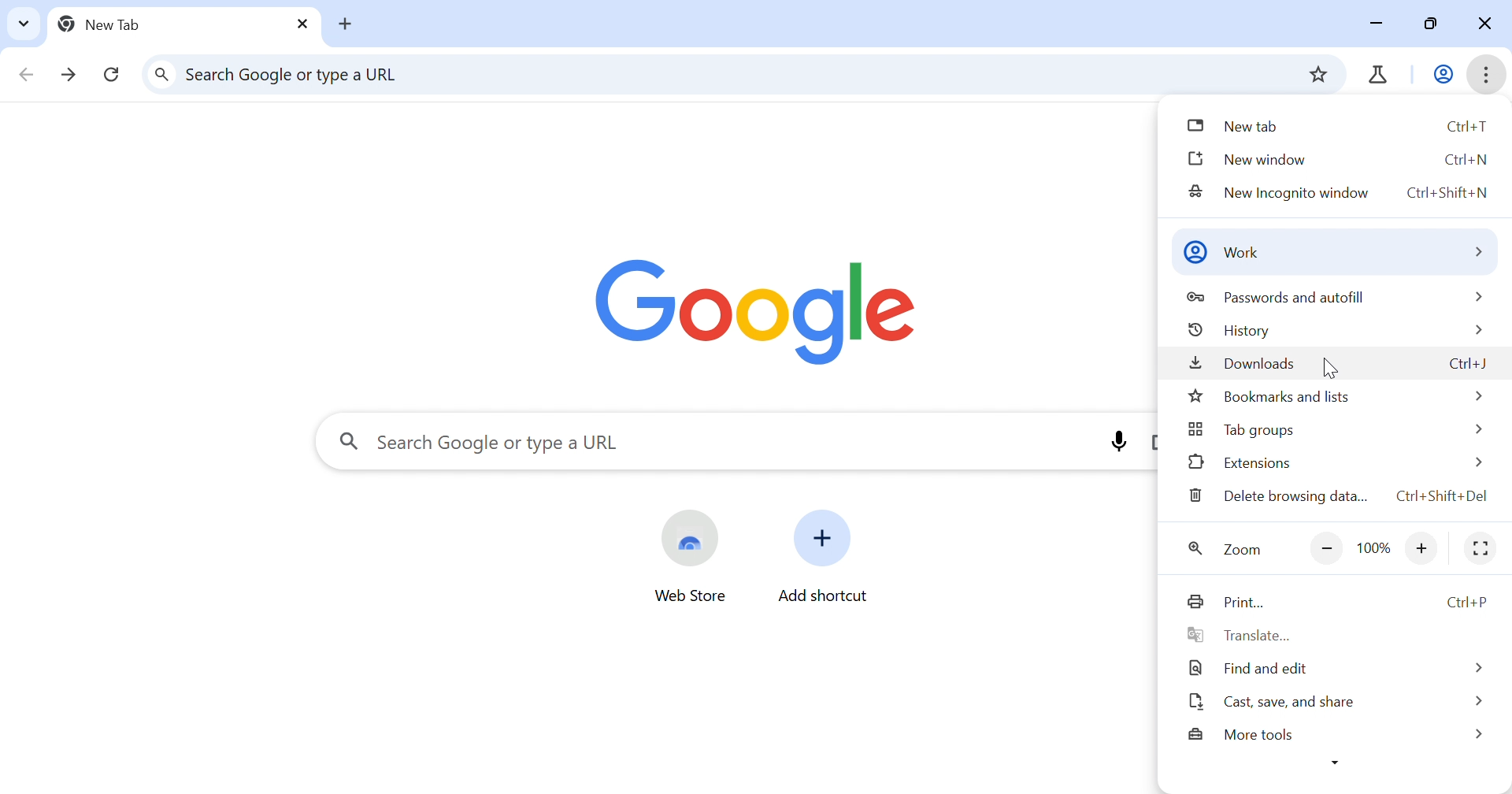 This screenshot has width=1512, height=794. I want to click on New incognito window, so click(1281, 194).